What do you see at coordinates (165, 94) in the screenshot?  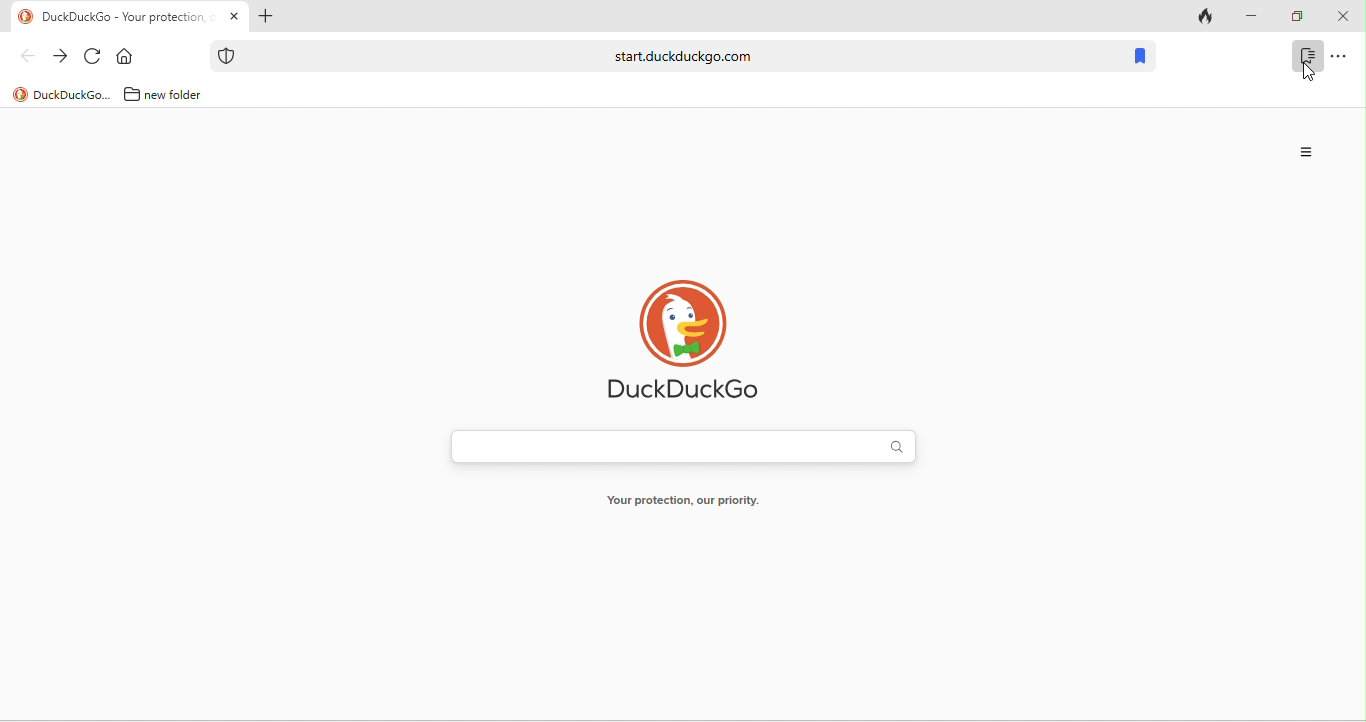 I see `new folder` at bounding box center [165, 94].